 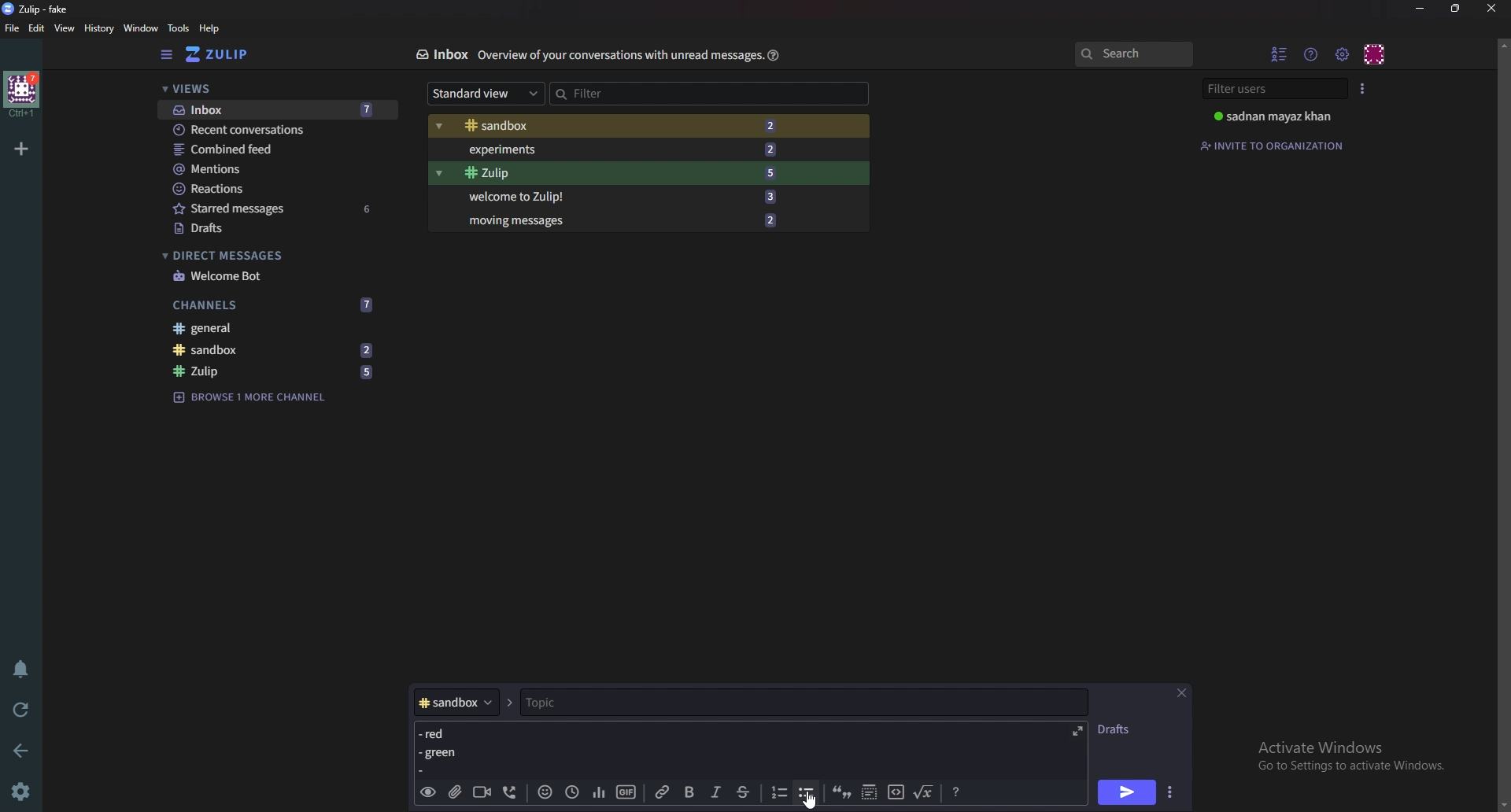 What do you see at coordinates (1362, 88) in the screenshot?
I see `User list style` at bounding box center [1362, 88].